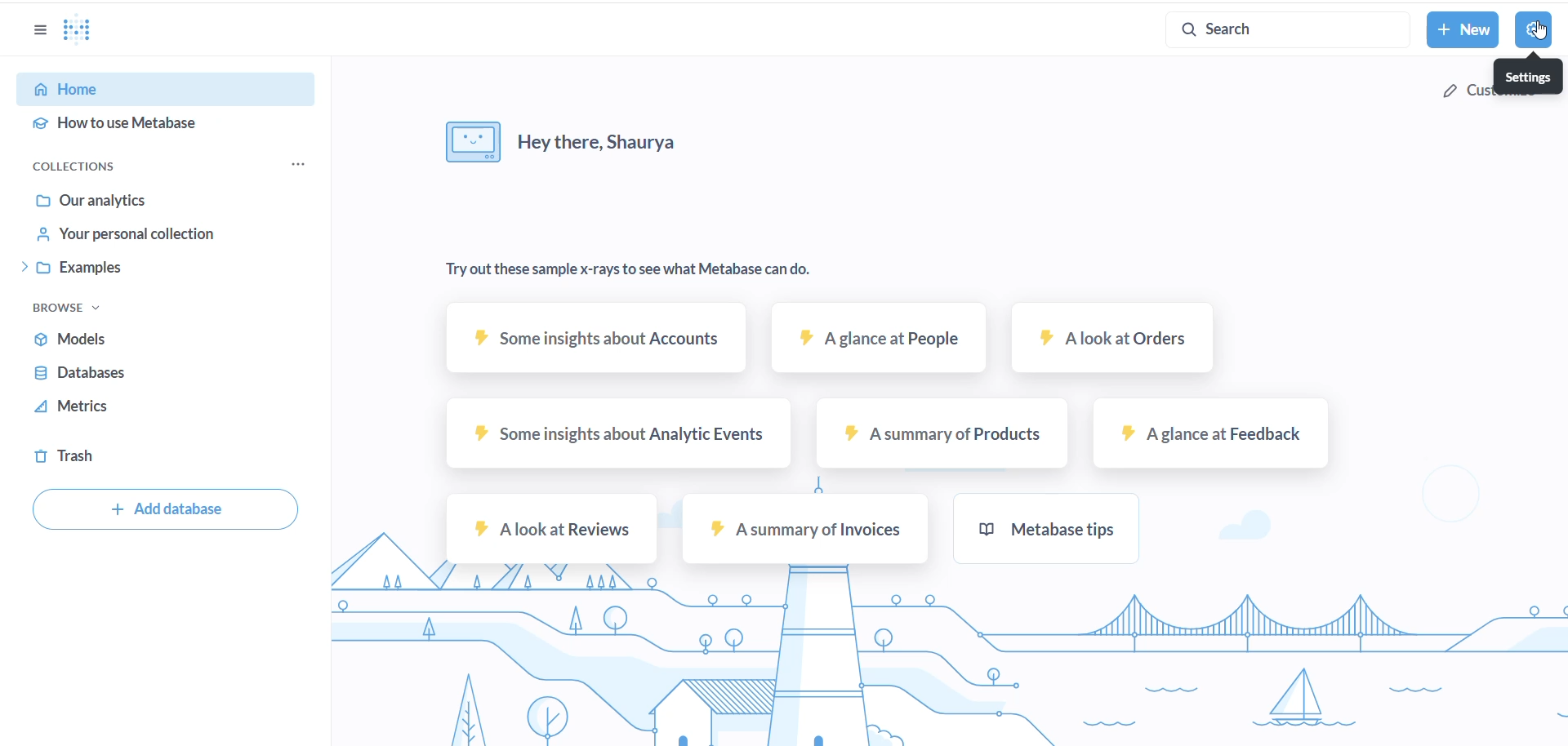 The image size is (1568, 746). I want to click on A summary of products, so click(939, 437).